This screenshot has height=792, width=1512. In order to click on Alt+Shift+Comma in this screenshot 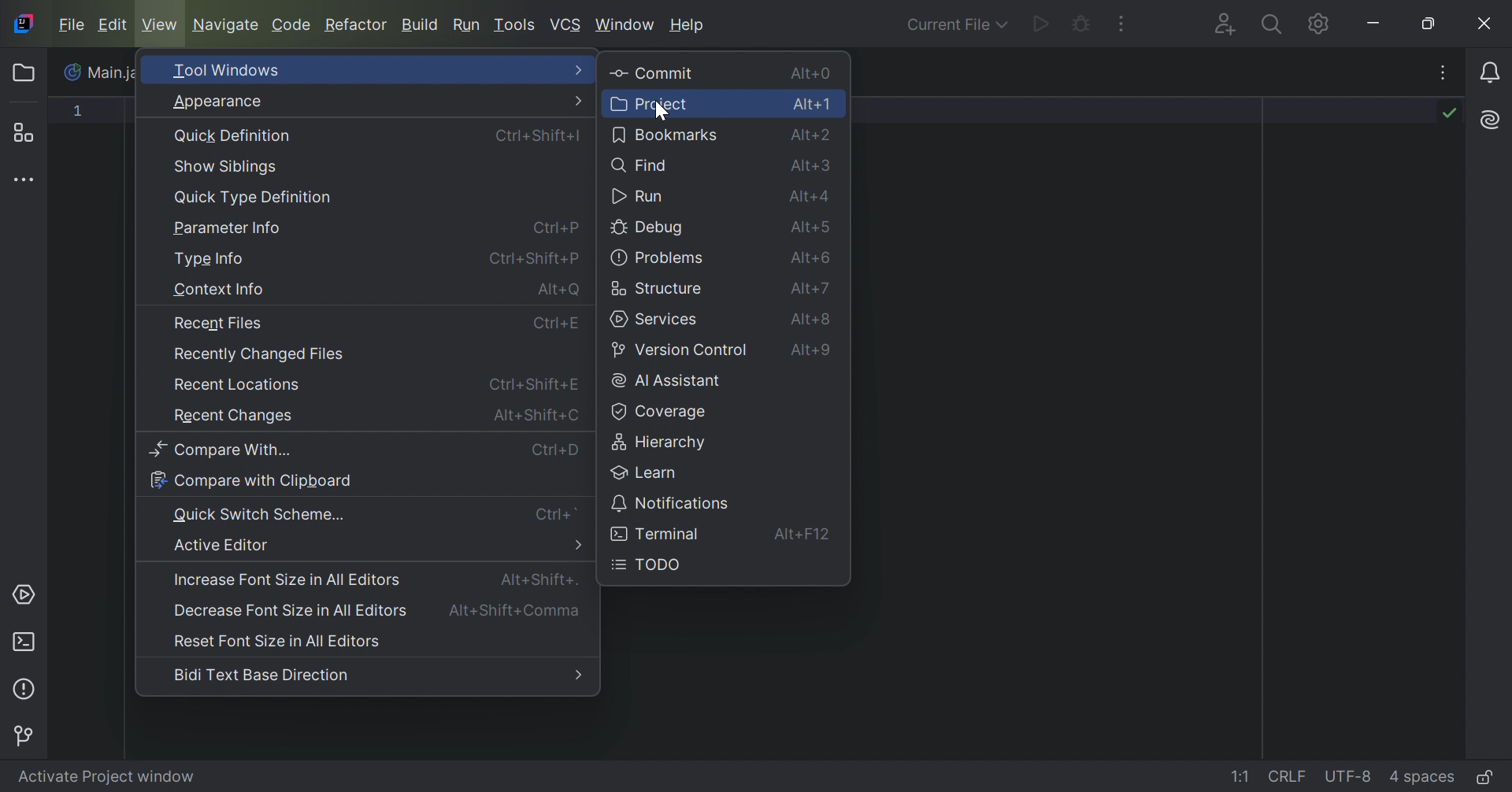, I will do `click(518, 611)`.